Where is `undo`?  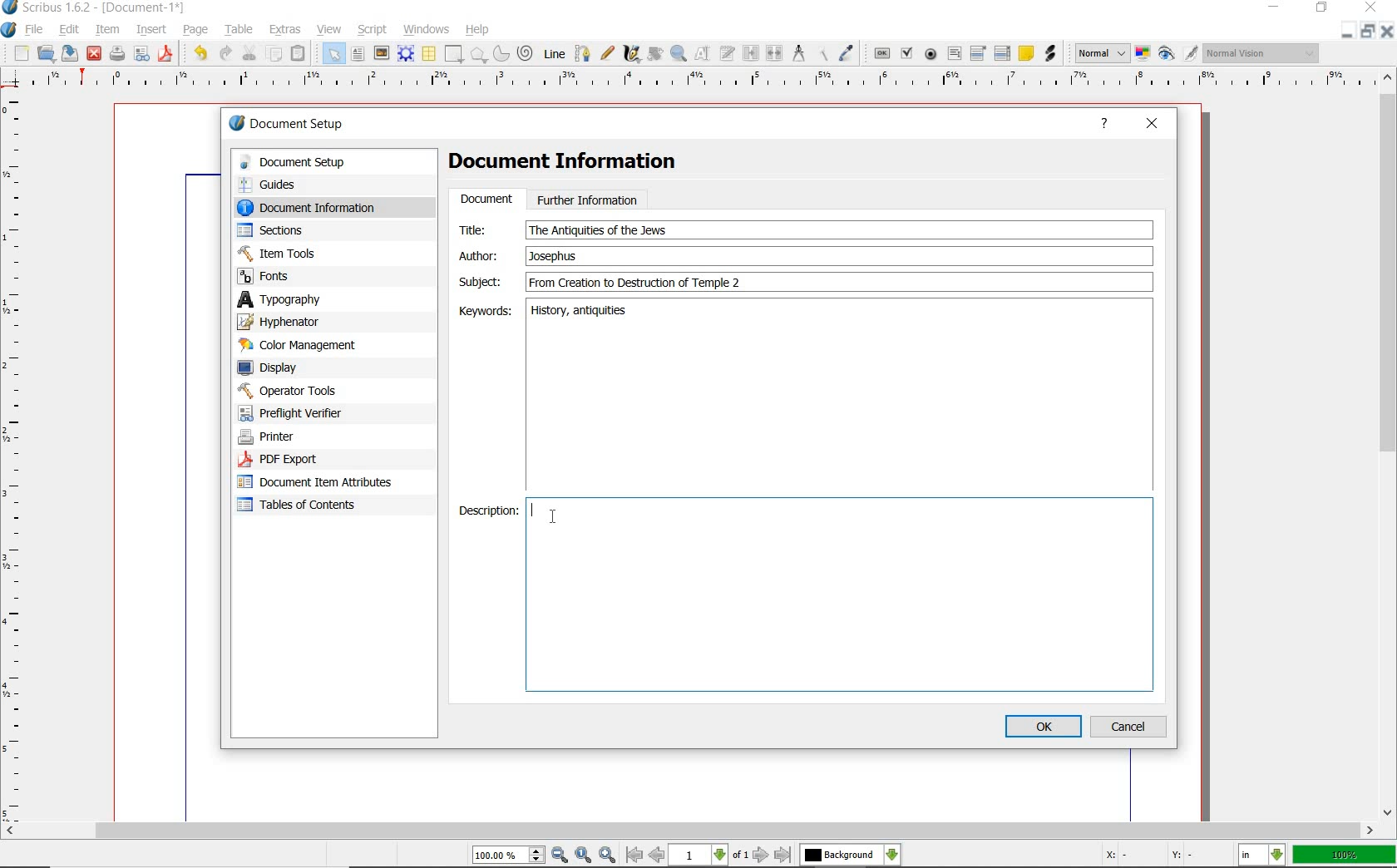
undo is located at coordinates (200, 55).